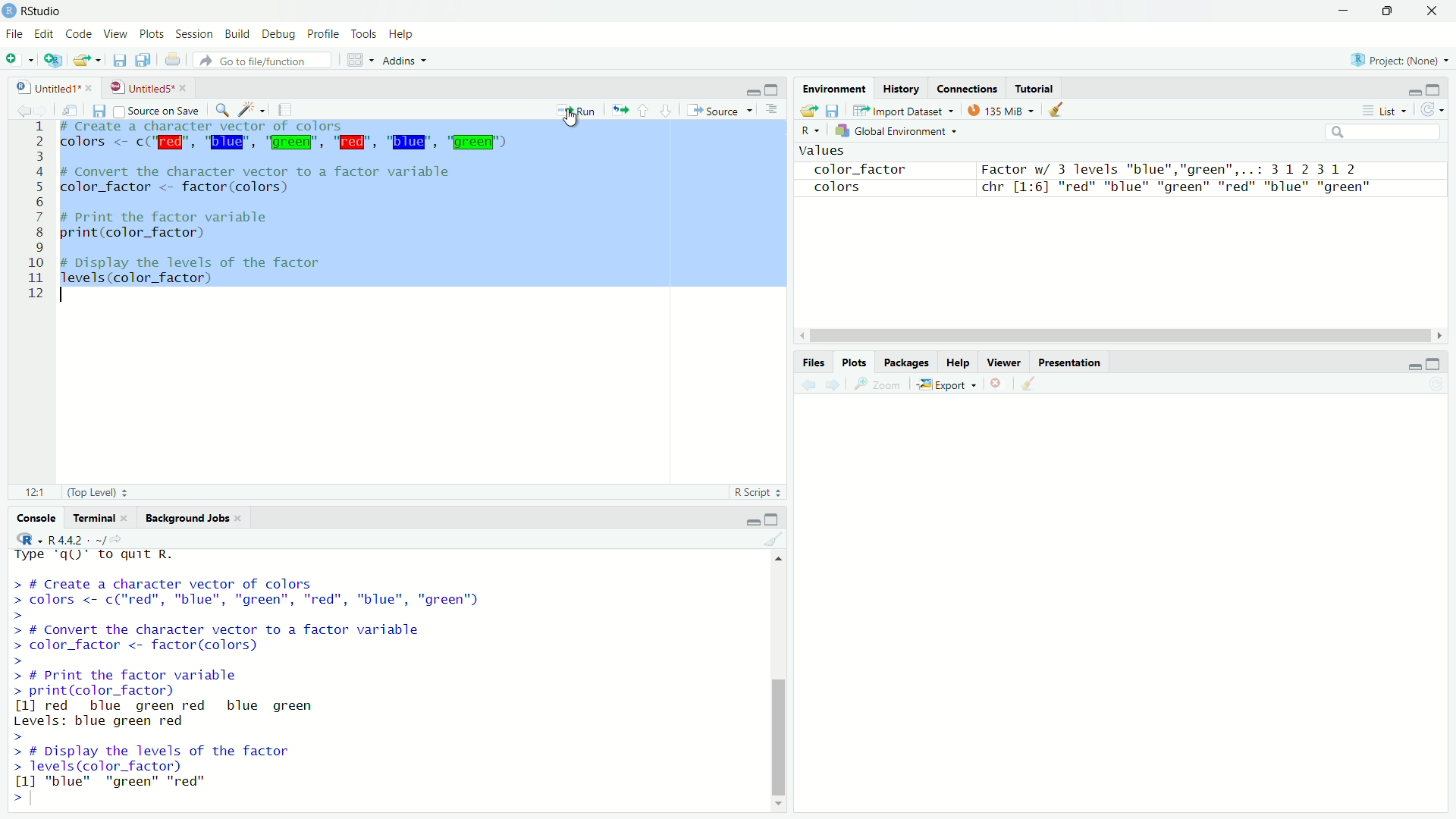 This screenshot has width=1456, height=819. What do you see at coordinates (123, 541) in the screenshot?
I see `view the current working directory` at bounding box center [123, 541].